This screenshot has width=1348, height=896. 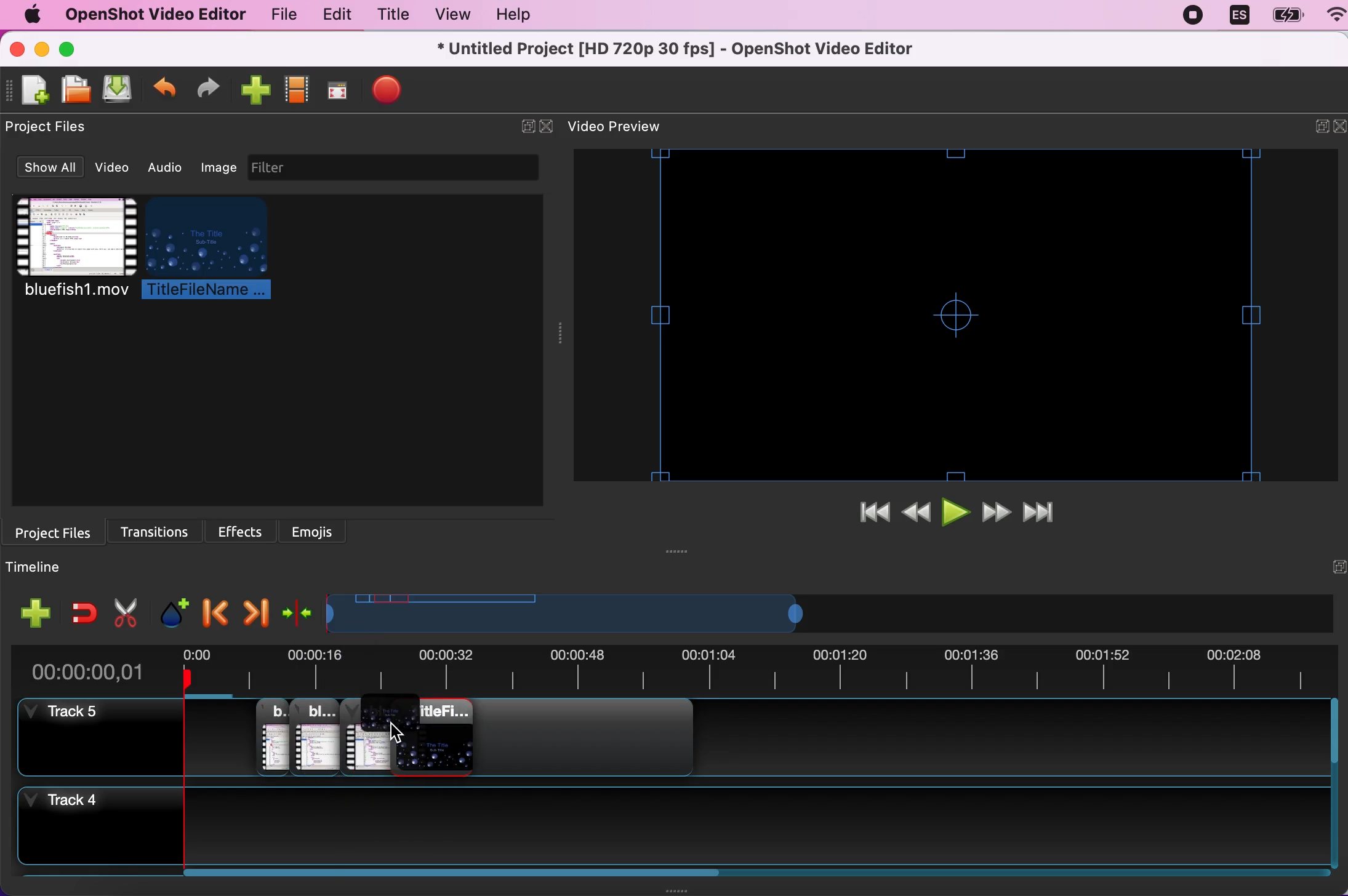 I want to click on close, so click(x=548, y=127).